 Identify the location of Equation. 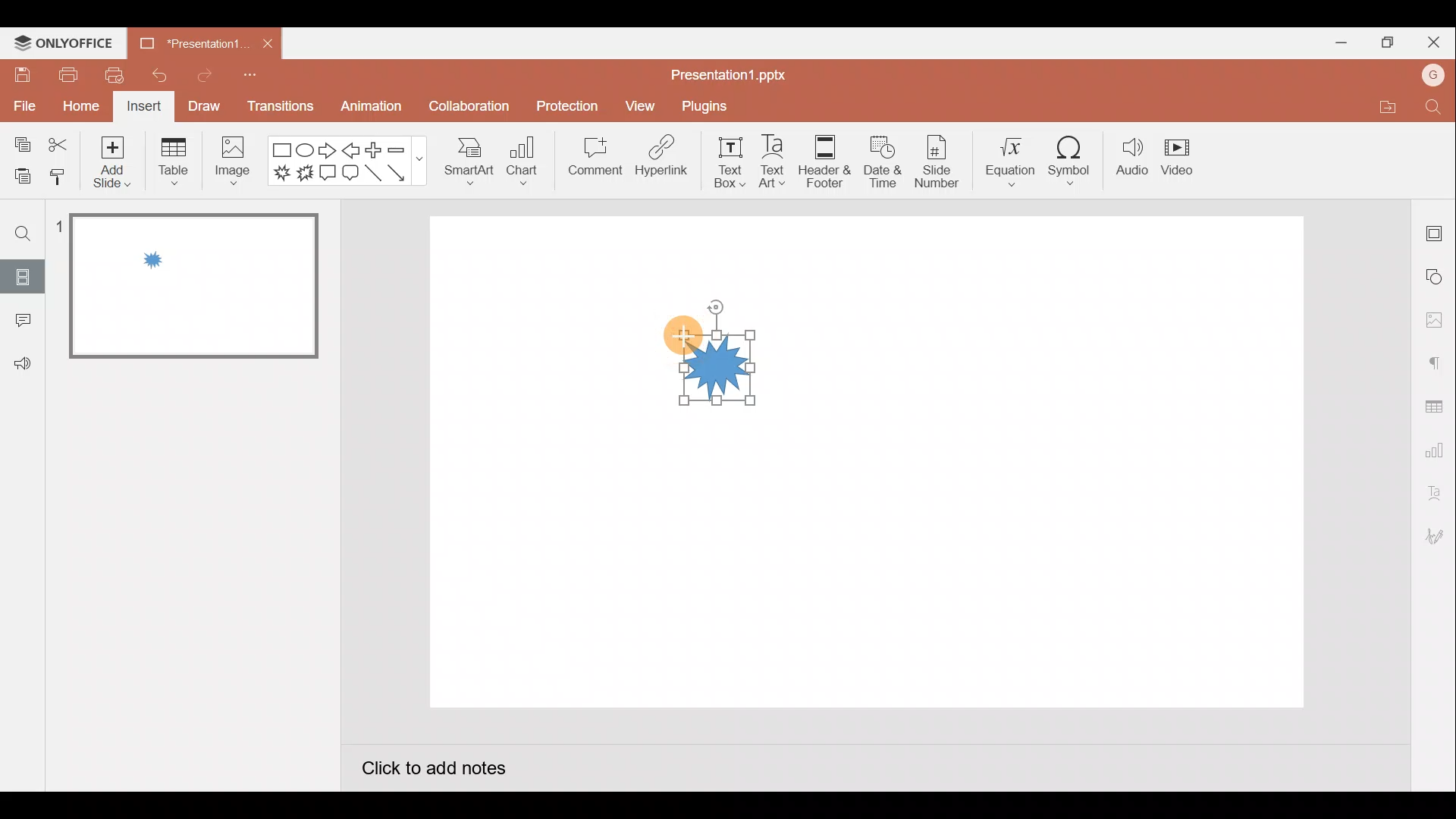
(1006, 163).